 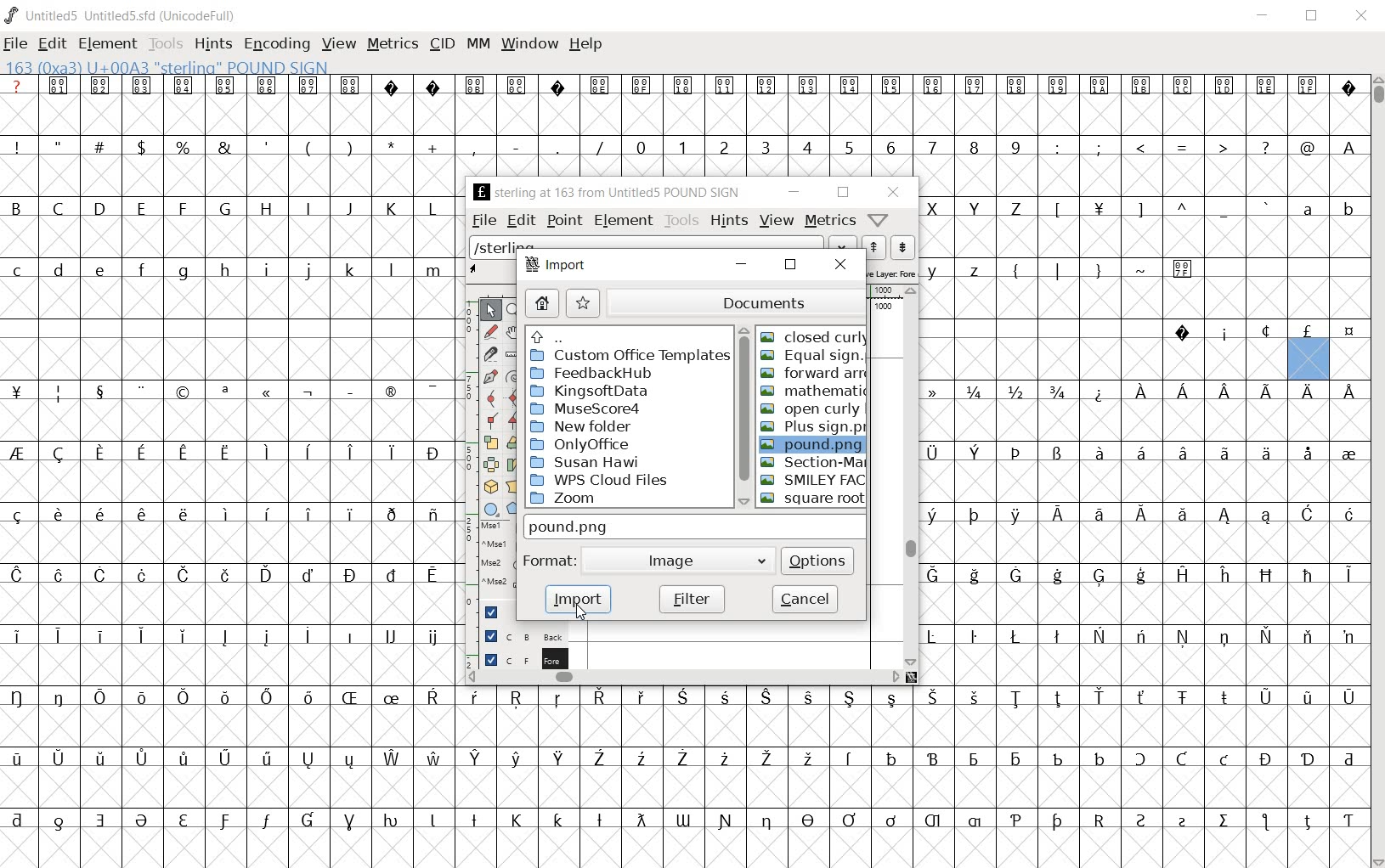 What do you see at coordinates (849, 820) in the screenshot?
I see `Symbol` at bounding box center [849, 820].